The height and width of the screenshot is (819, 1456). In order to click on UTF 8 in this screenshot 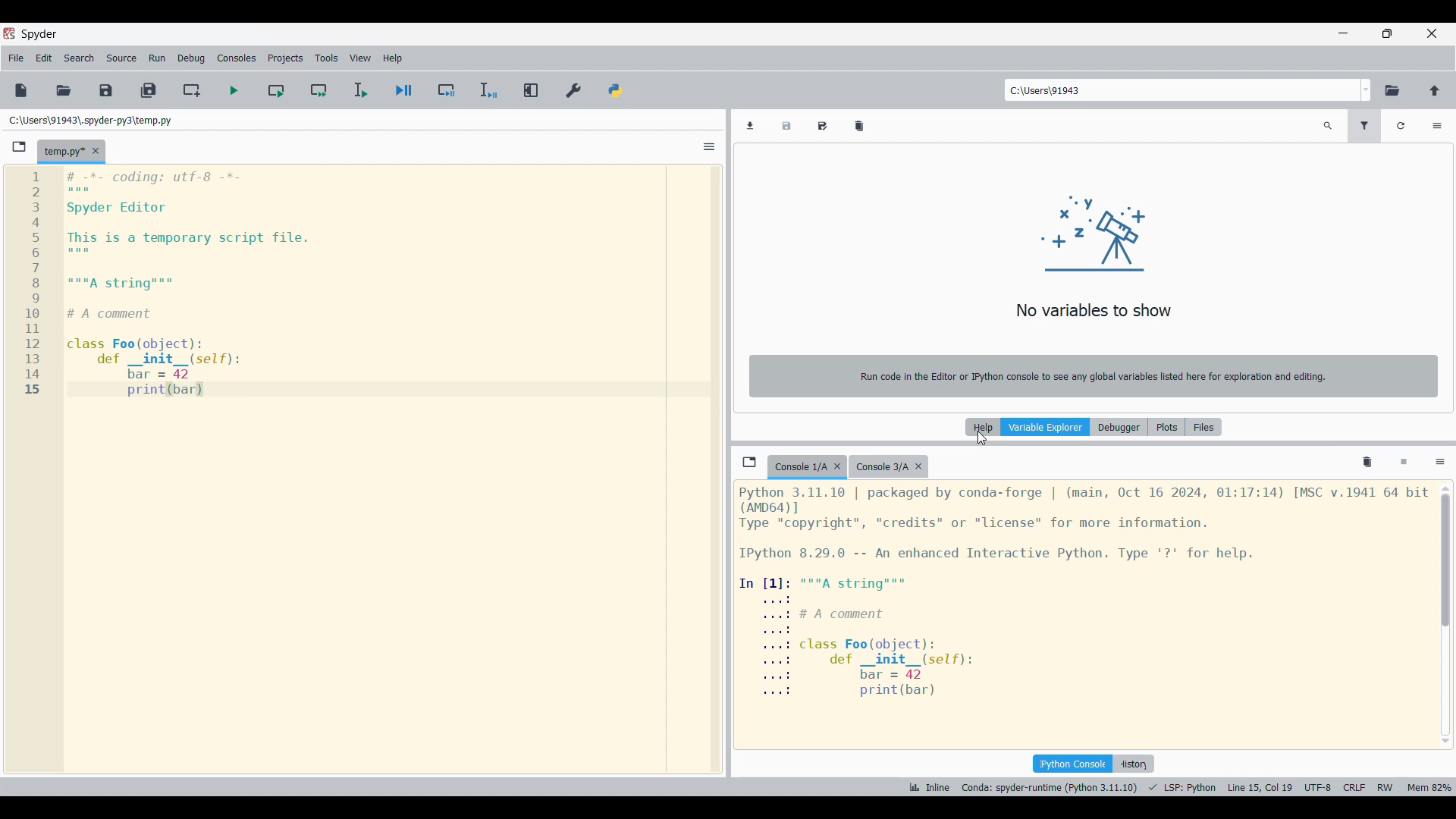, I will do `click(1318, 786)`.